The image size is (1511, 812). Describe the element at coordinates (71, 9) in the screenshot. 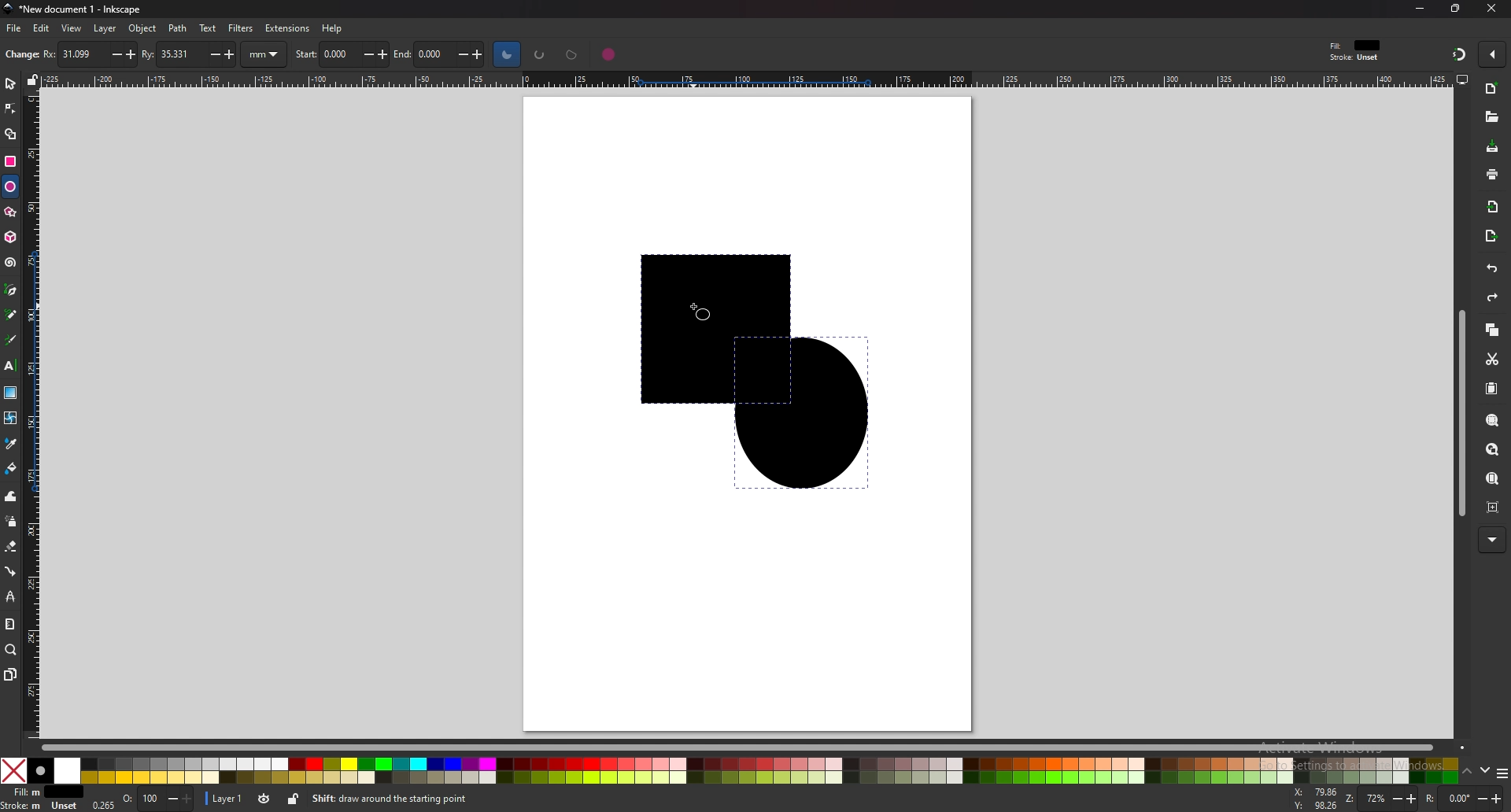

I see `title` at that location.